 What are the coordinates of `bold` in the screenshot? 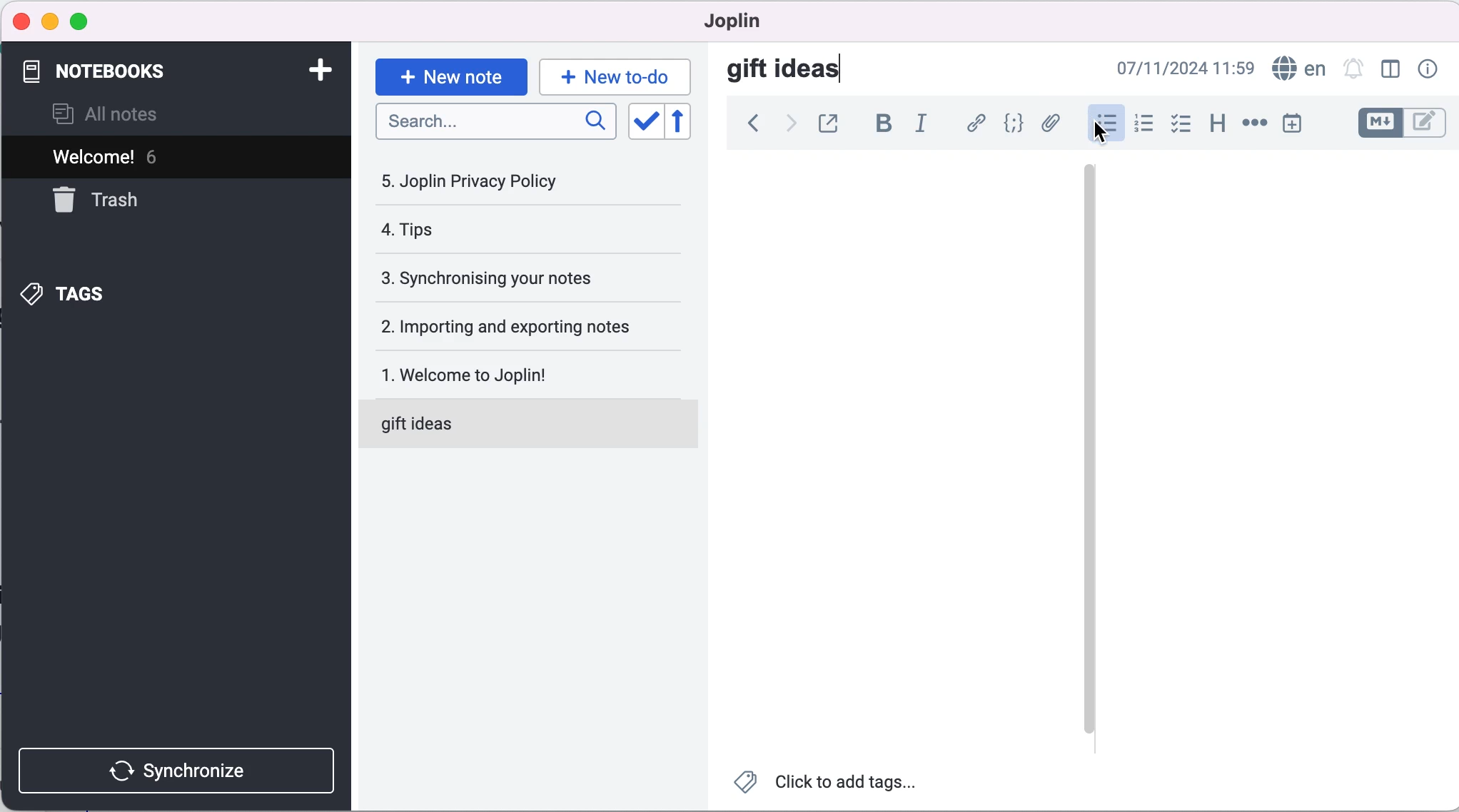 It's located at (884, 124).